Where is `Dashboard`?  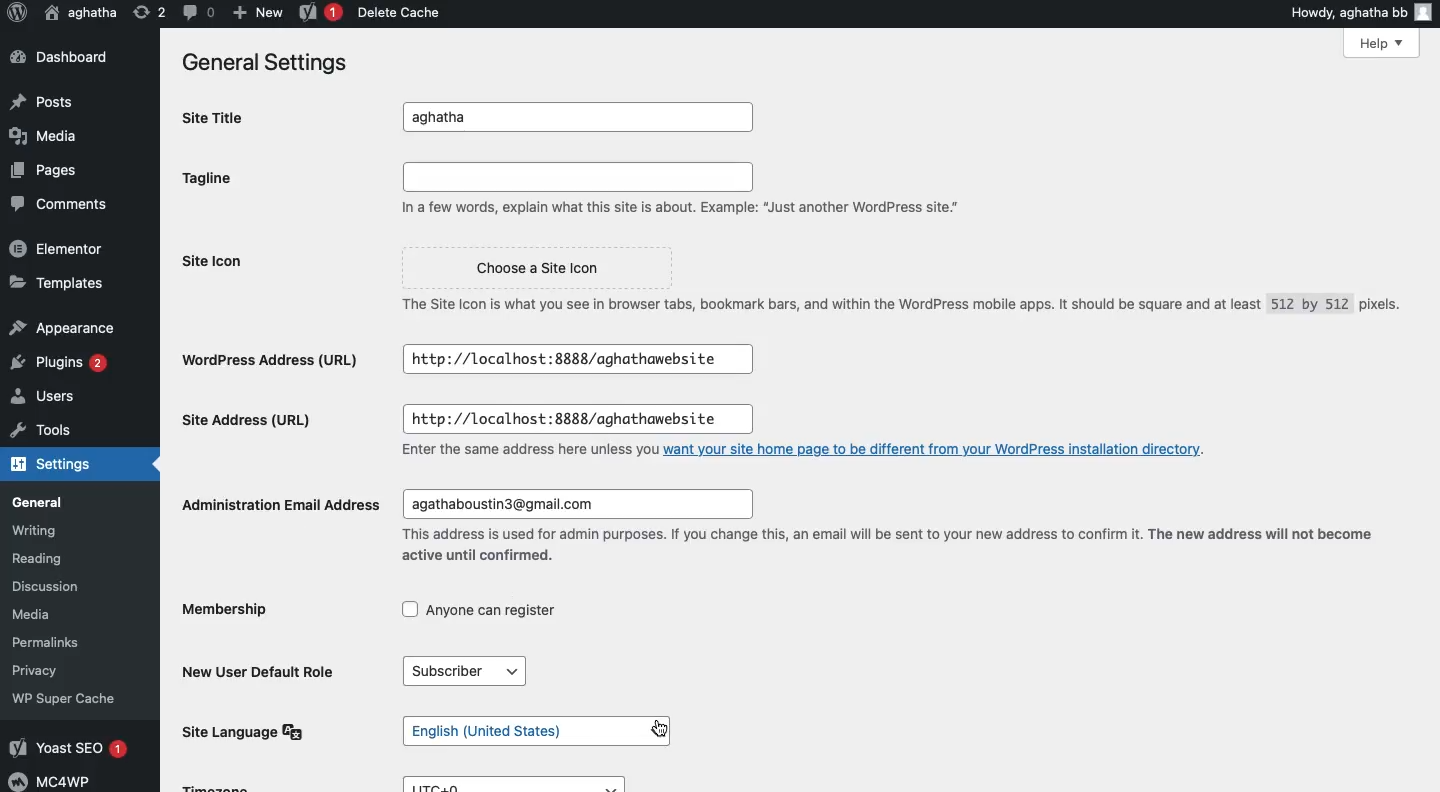 Dashboard is located at coordinates (57, 56).